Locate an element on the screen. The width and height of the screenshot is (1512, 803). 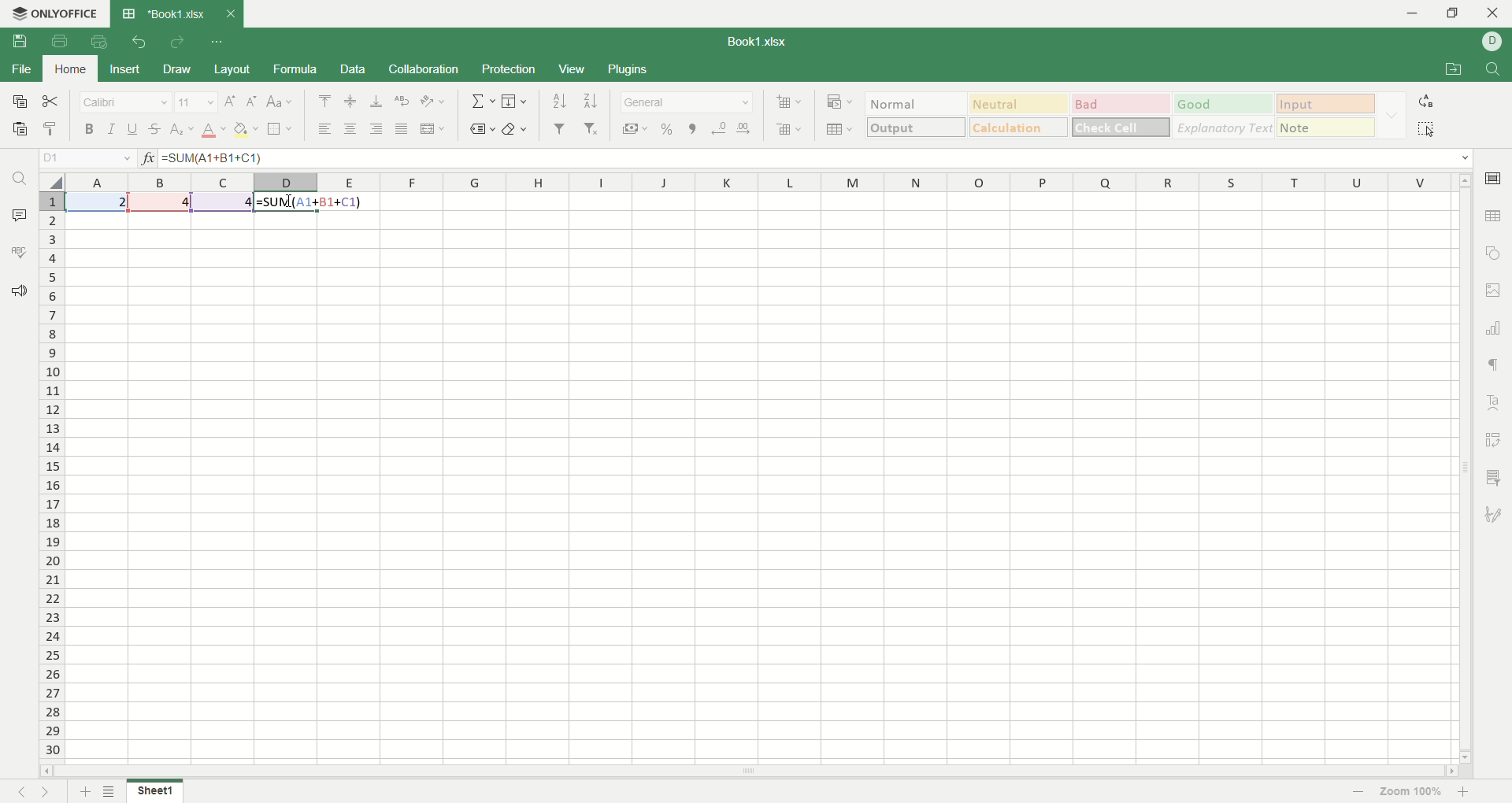
output is located at coordinates (917, 128).